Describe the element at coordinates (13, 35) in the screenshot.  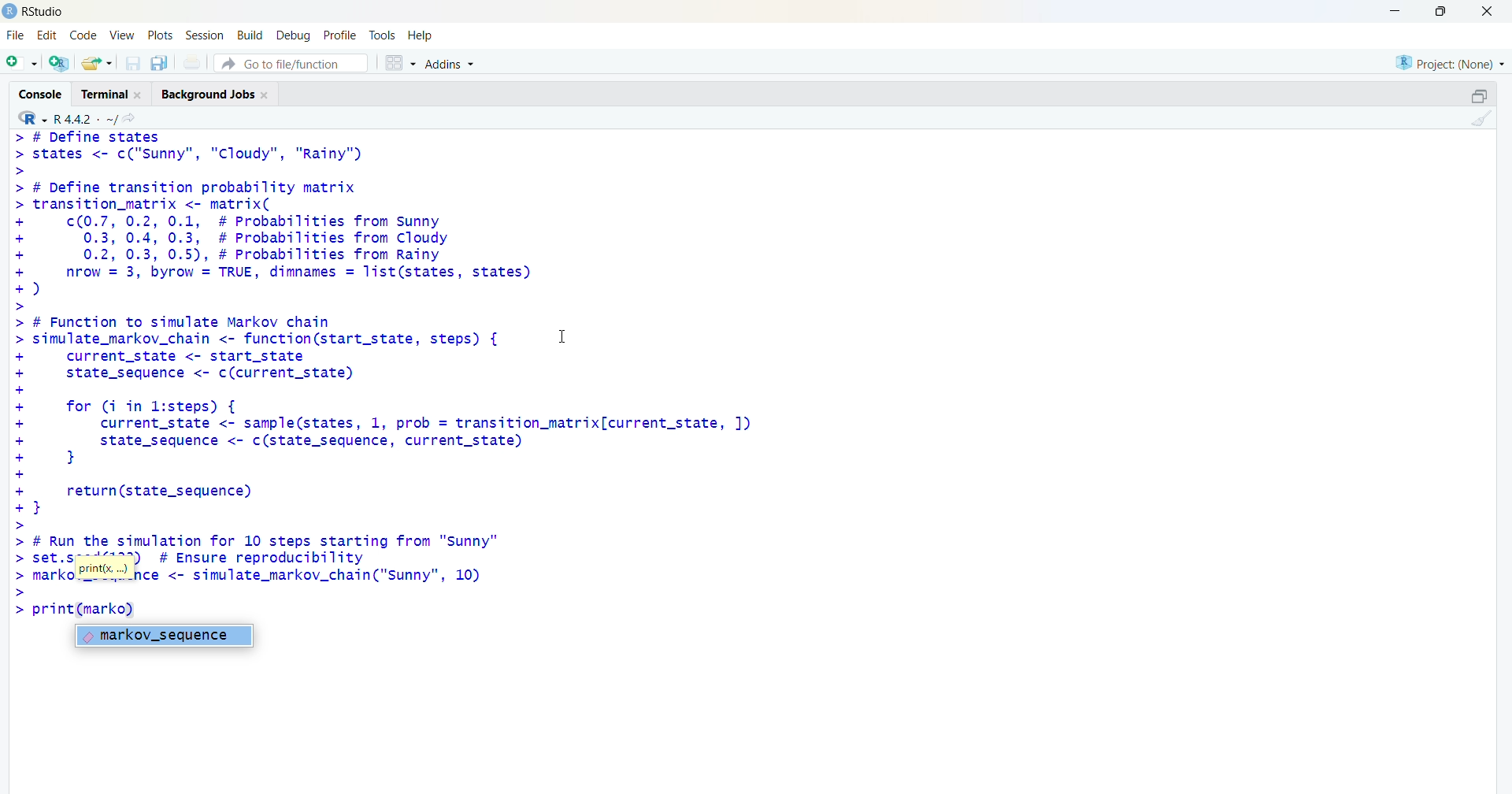
I see `file` at that location.